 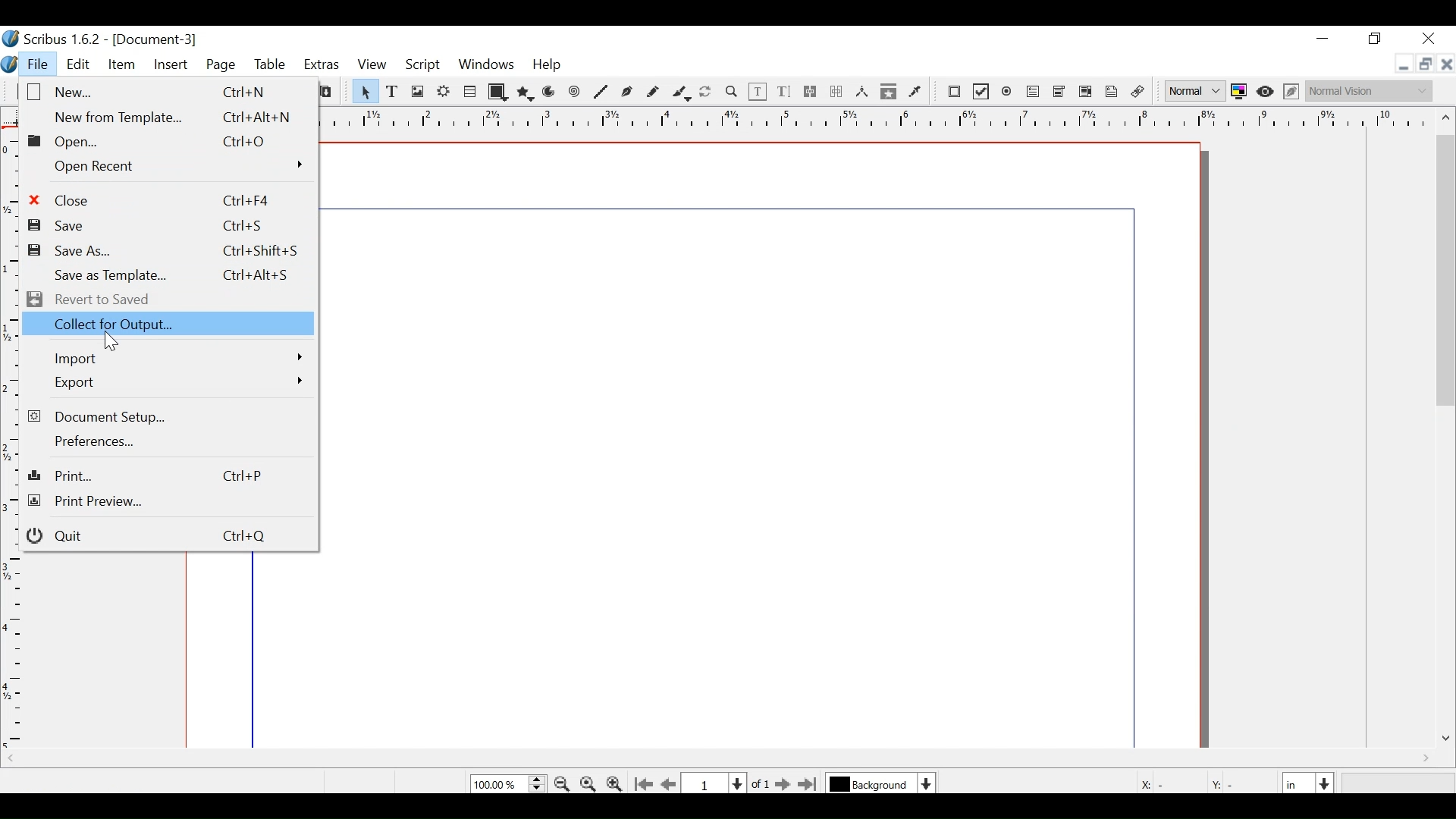 I want to click on Document Setup, so click(x=106, y=416).